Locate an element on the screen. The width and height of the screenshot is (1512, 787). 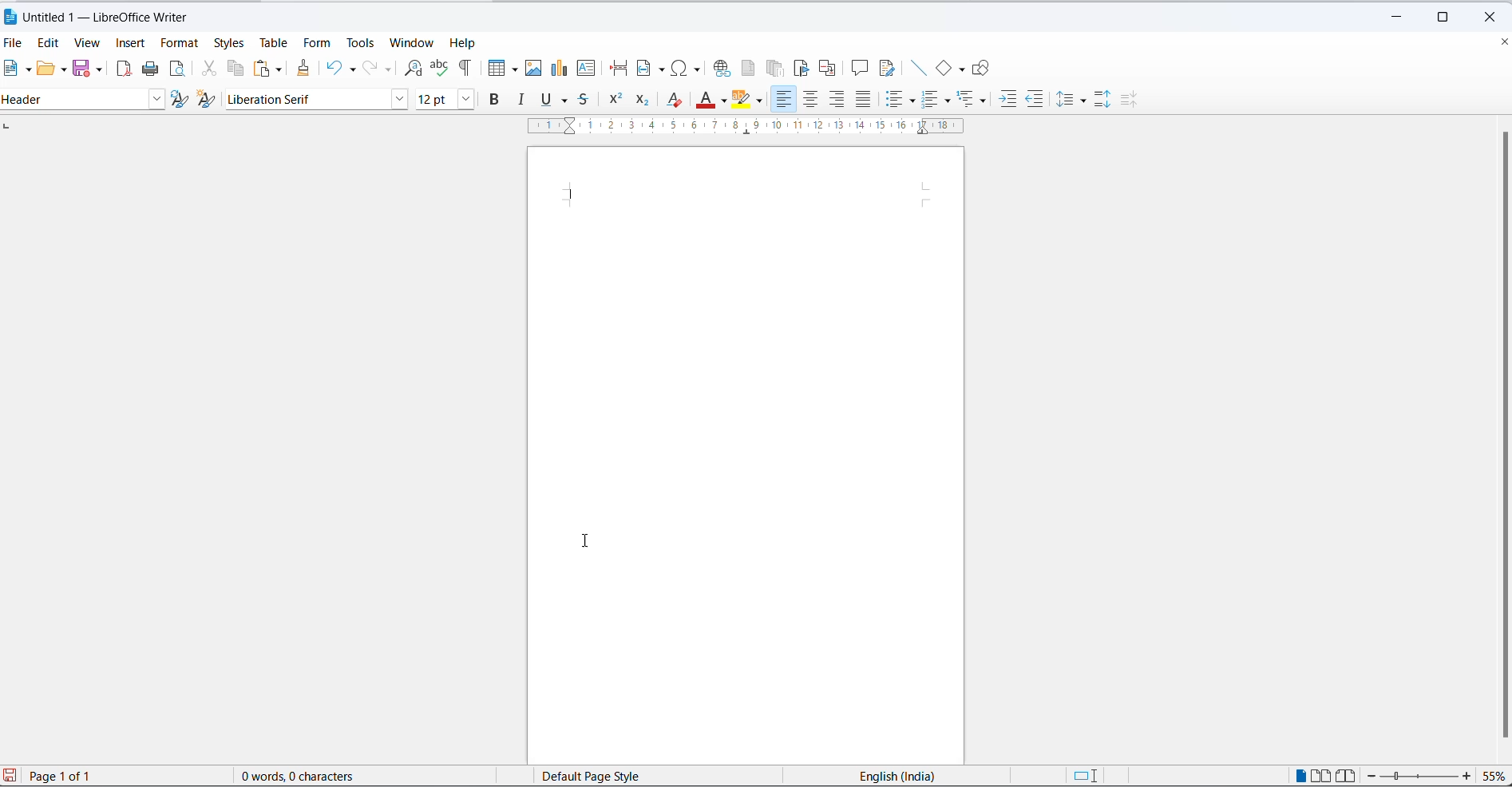
insert footnote is located at coordinates (747, 69).